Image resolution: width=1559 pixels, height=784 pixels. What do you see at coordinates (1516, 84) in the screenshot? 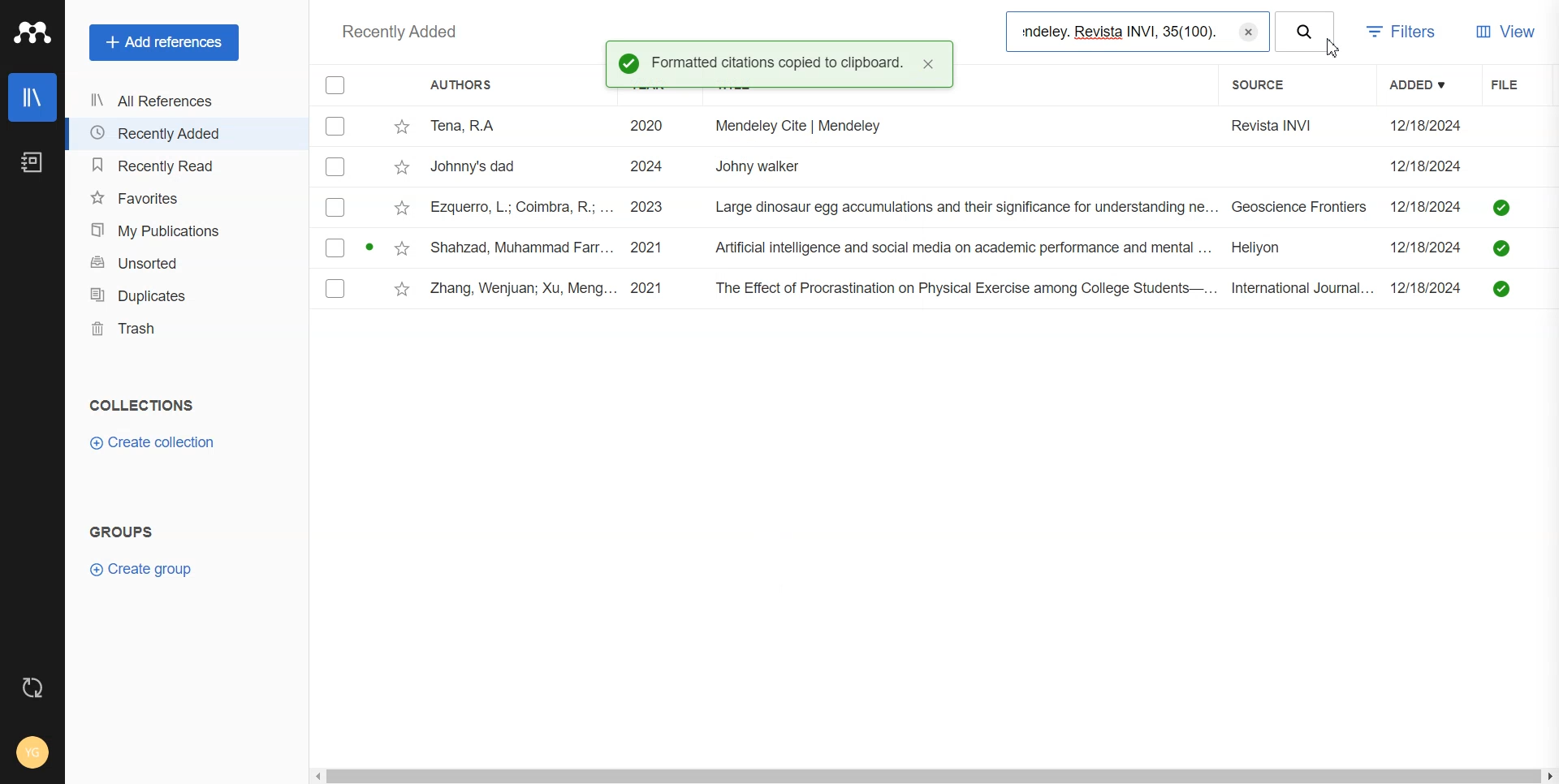
I see `File` at bounding box center [1516, 84].